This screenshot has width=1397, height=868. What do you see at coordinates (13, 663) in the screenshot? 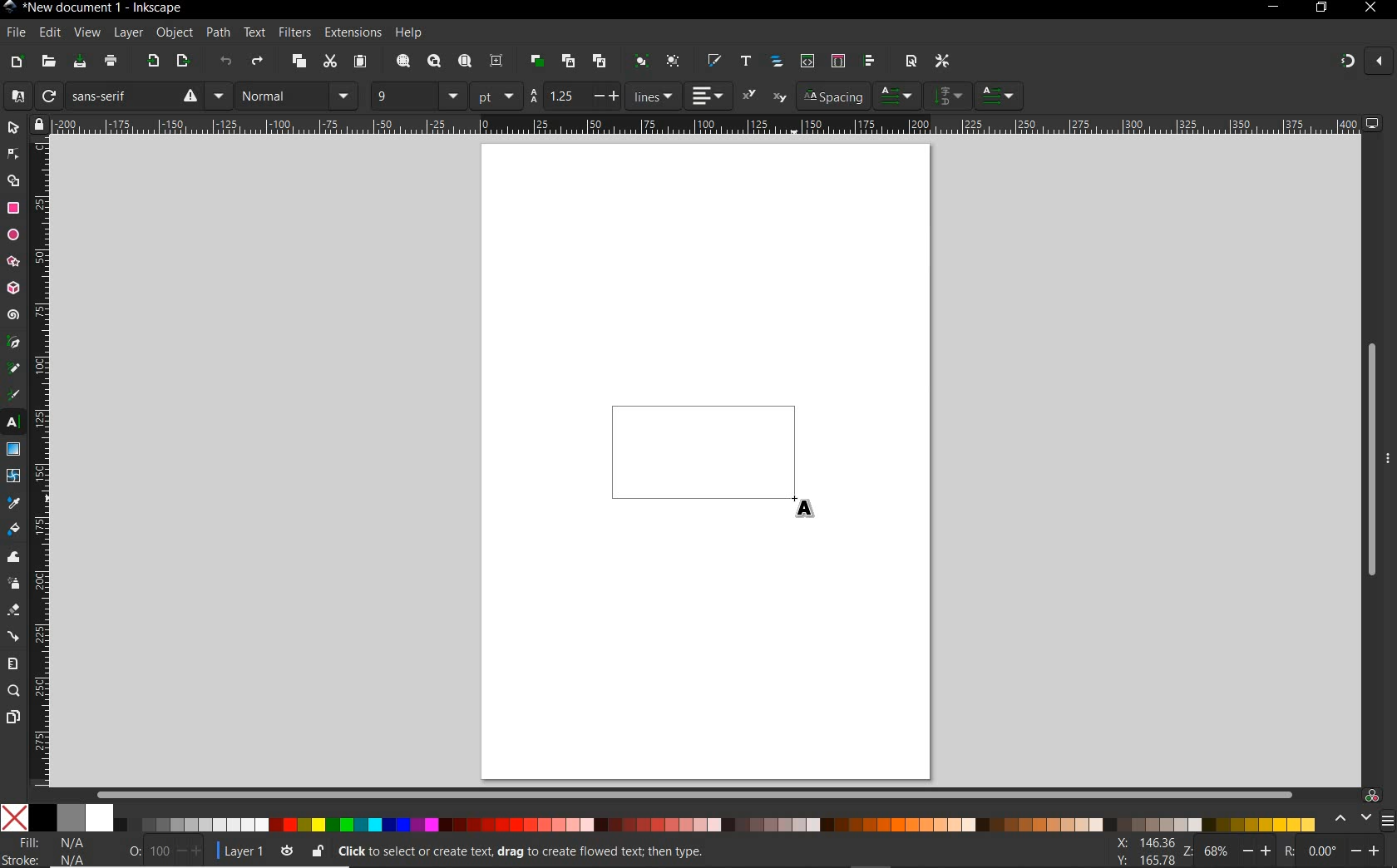
I see `measure tool` at bounding box center [13, 663].